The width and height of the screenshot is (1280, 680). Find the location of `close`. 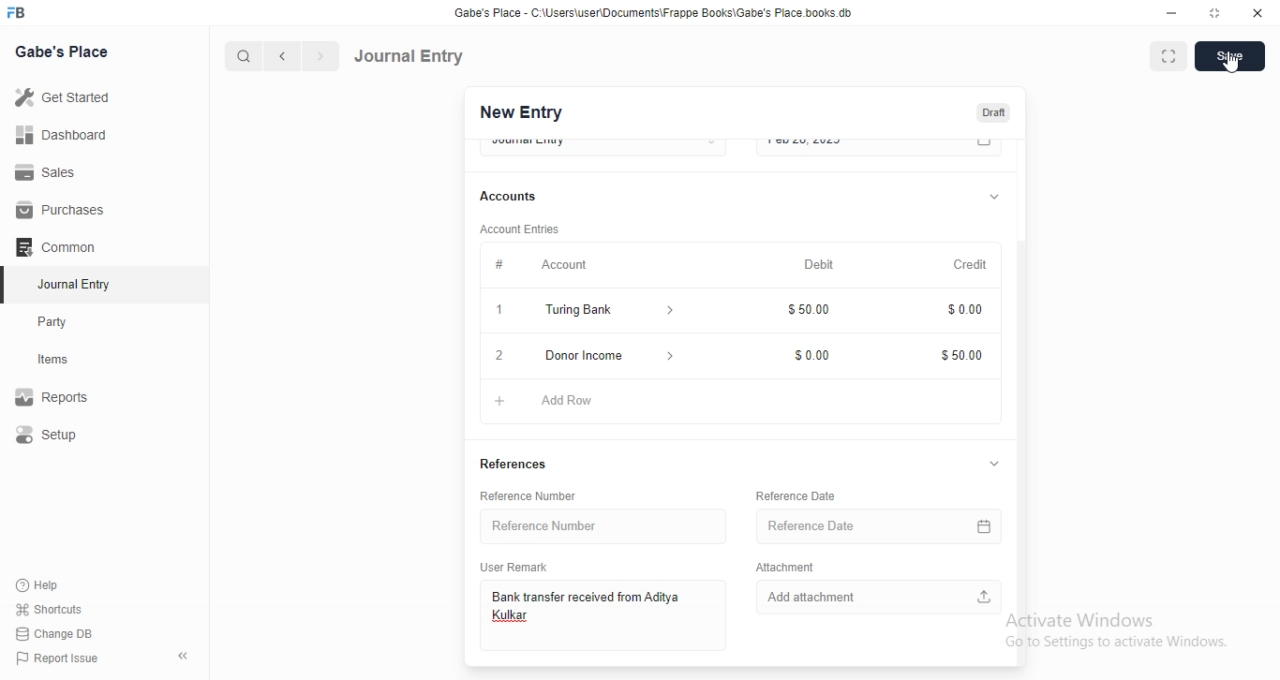

close is located at coordinates (1258, 14).